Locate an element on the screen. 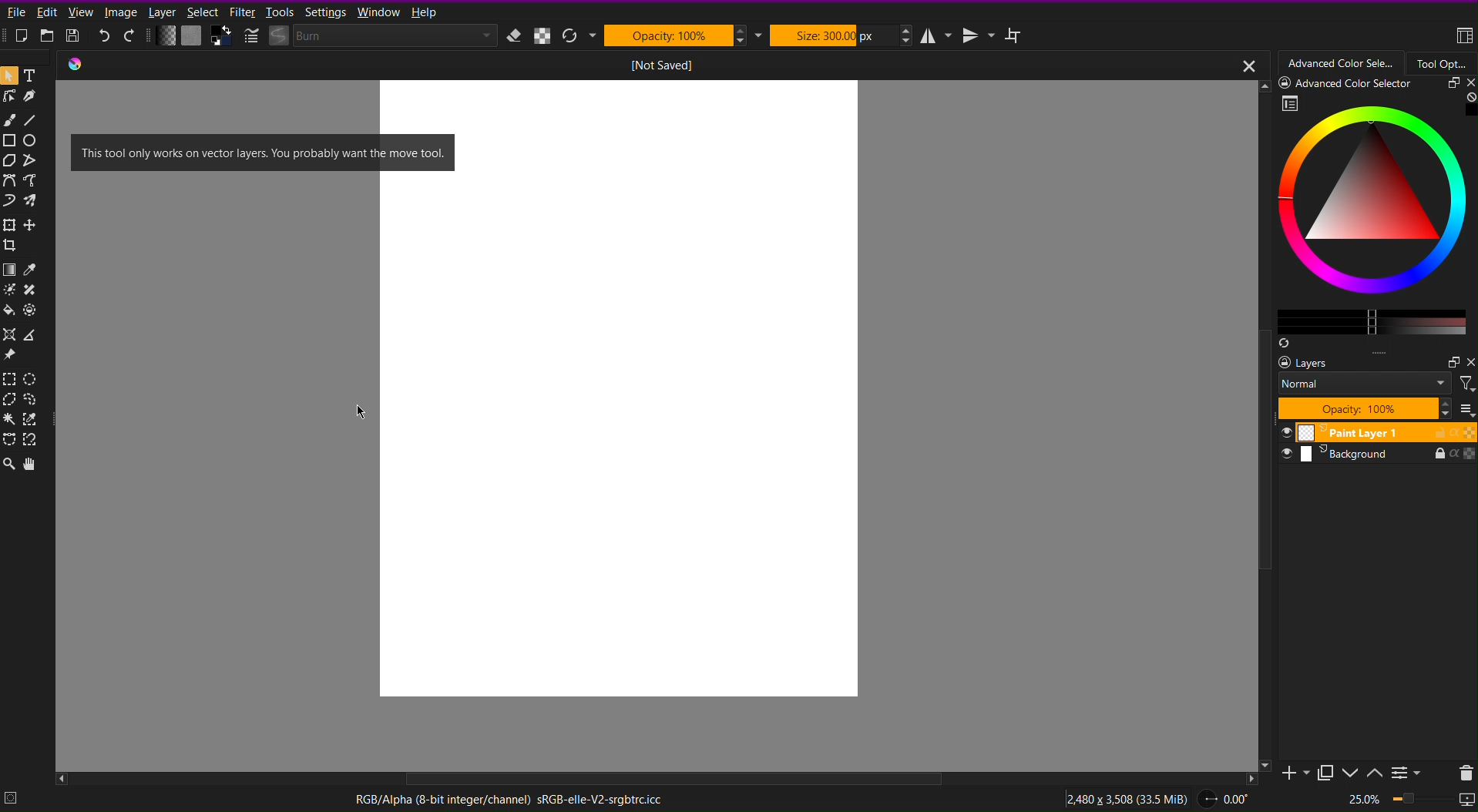  Layer is located at coordinates (160, 12).